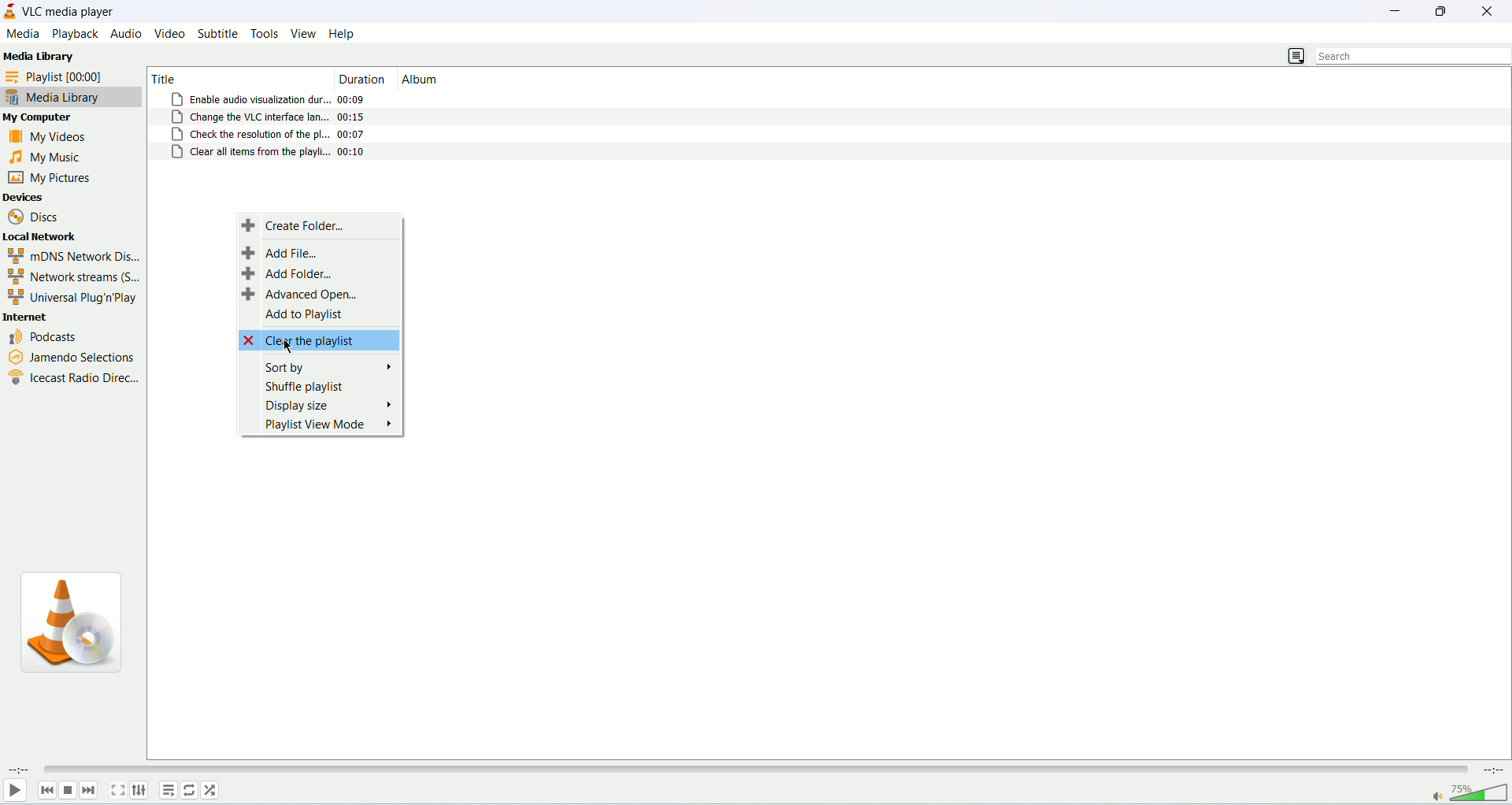  What do you see at coordinates (216, 33) in the screenshot?
I see `subtitle` at bounding box center [216, 33].